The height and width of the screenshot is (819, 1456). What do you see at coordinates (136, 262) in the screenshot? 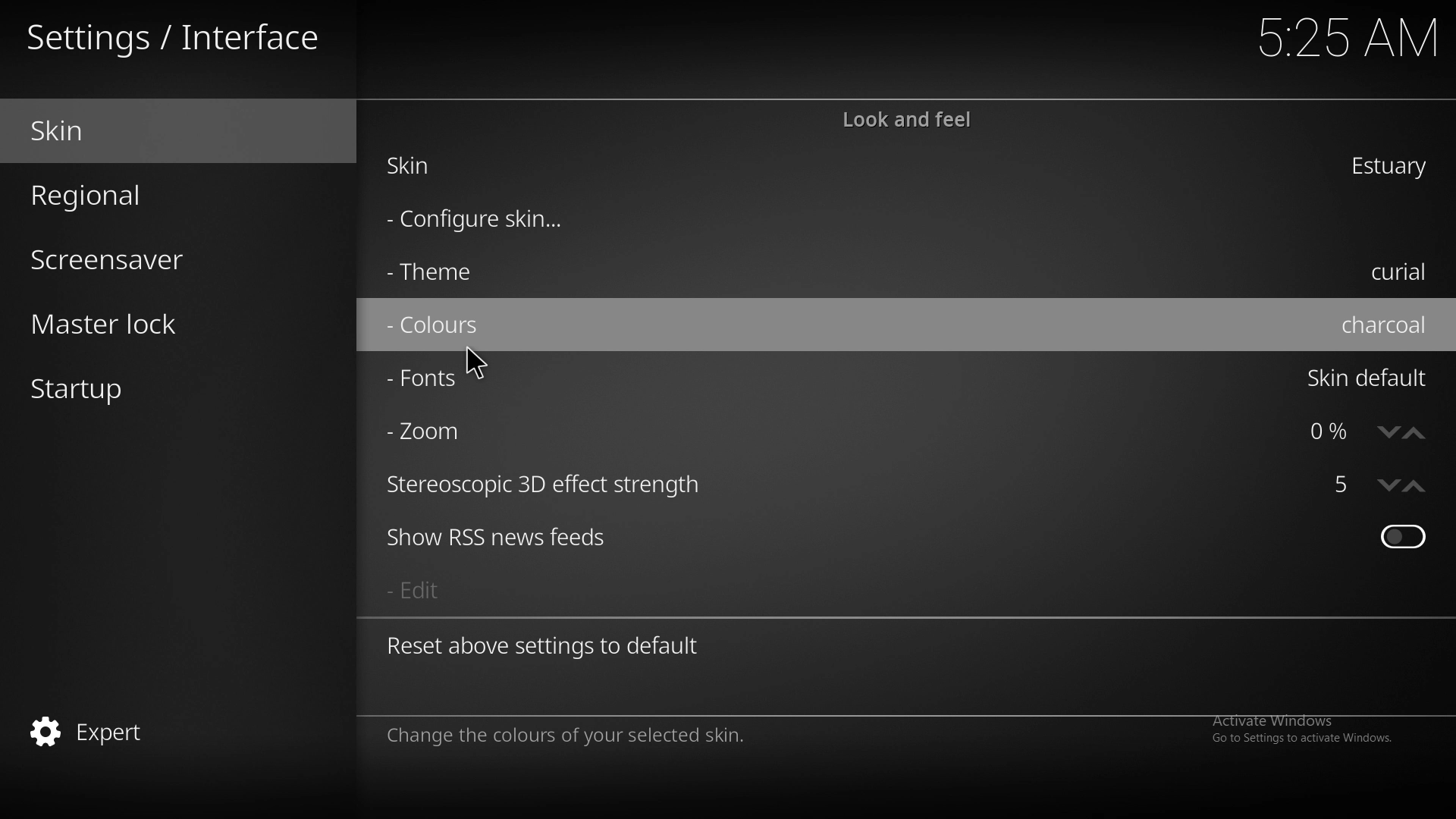
I see `screensaver` at bounding box center [136, 262].